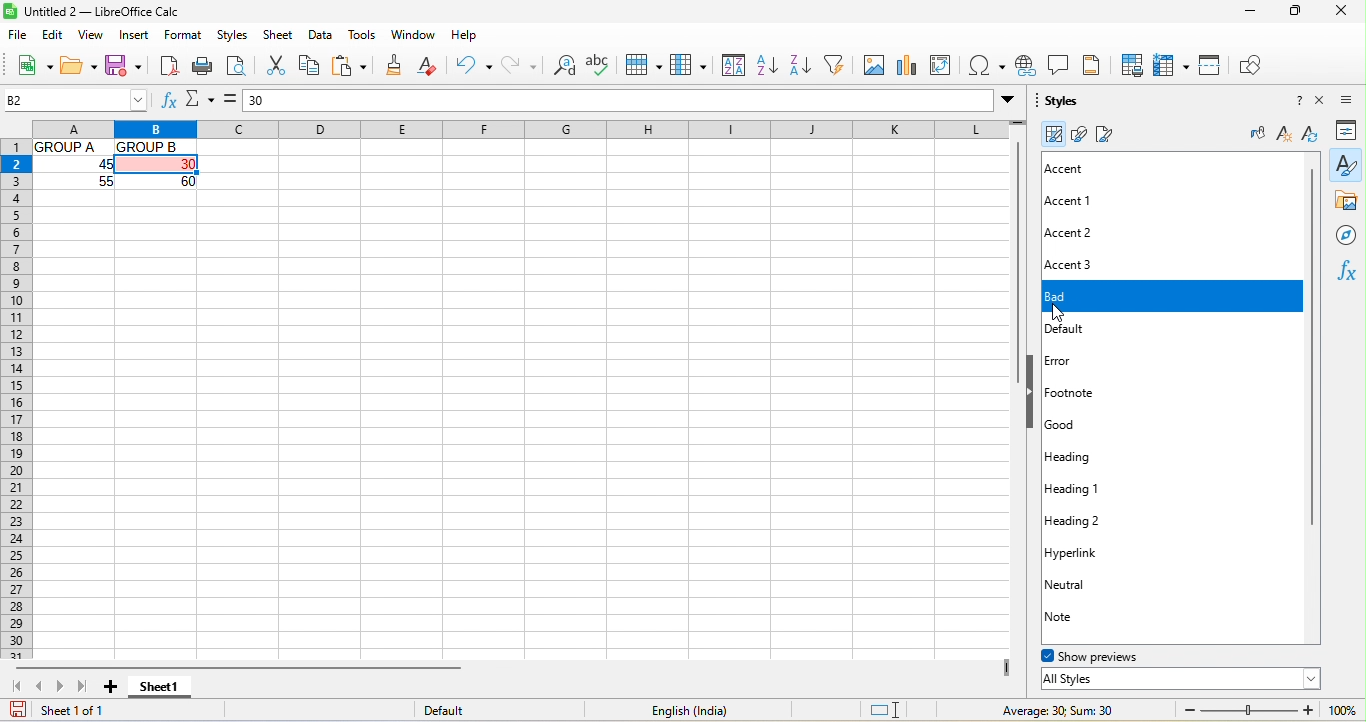 This screenshot has height=722, width=1366. Describe the element at coordinates (231, 37) in the screenshot. I see `styles` at that location.